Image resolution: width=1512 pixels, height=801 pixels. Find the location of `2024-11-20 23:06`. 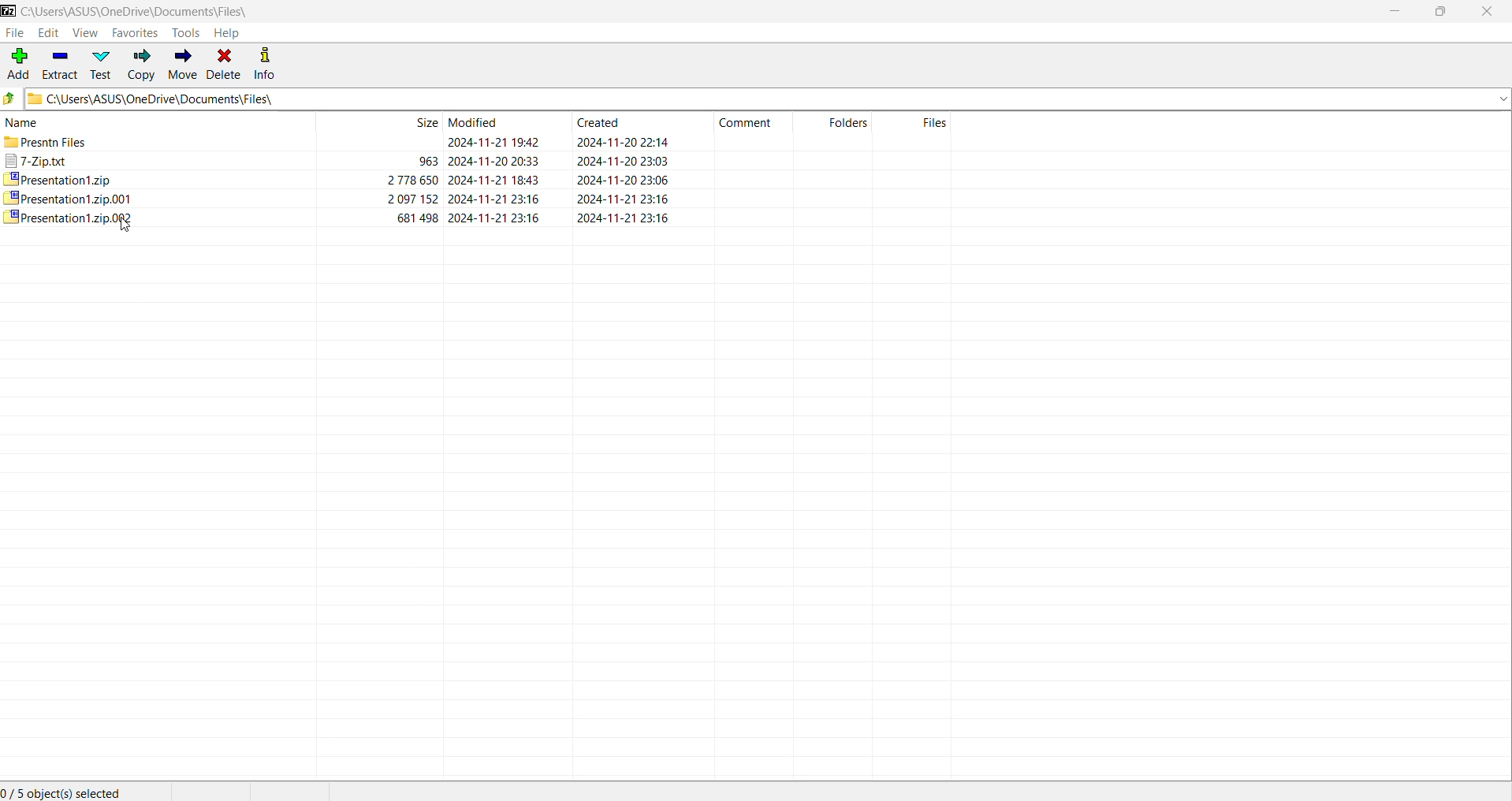

2024-11-20 23:06 is located at coordinates (624, 180).